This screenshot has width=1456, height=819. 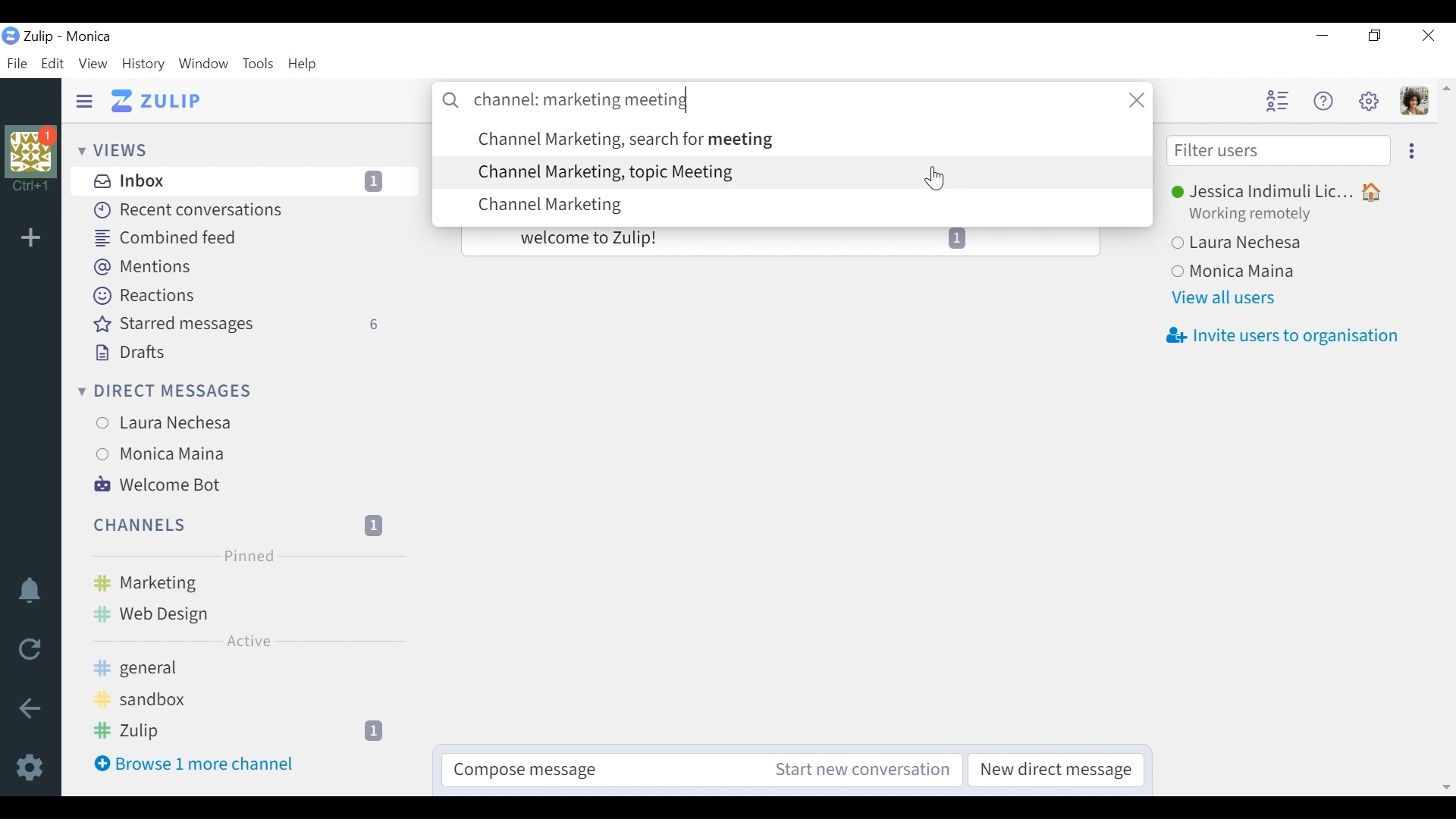 I want to click on Starred messages, so click(x=243, y=325).